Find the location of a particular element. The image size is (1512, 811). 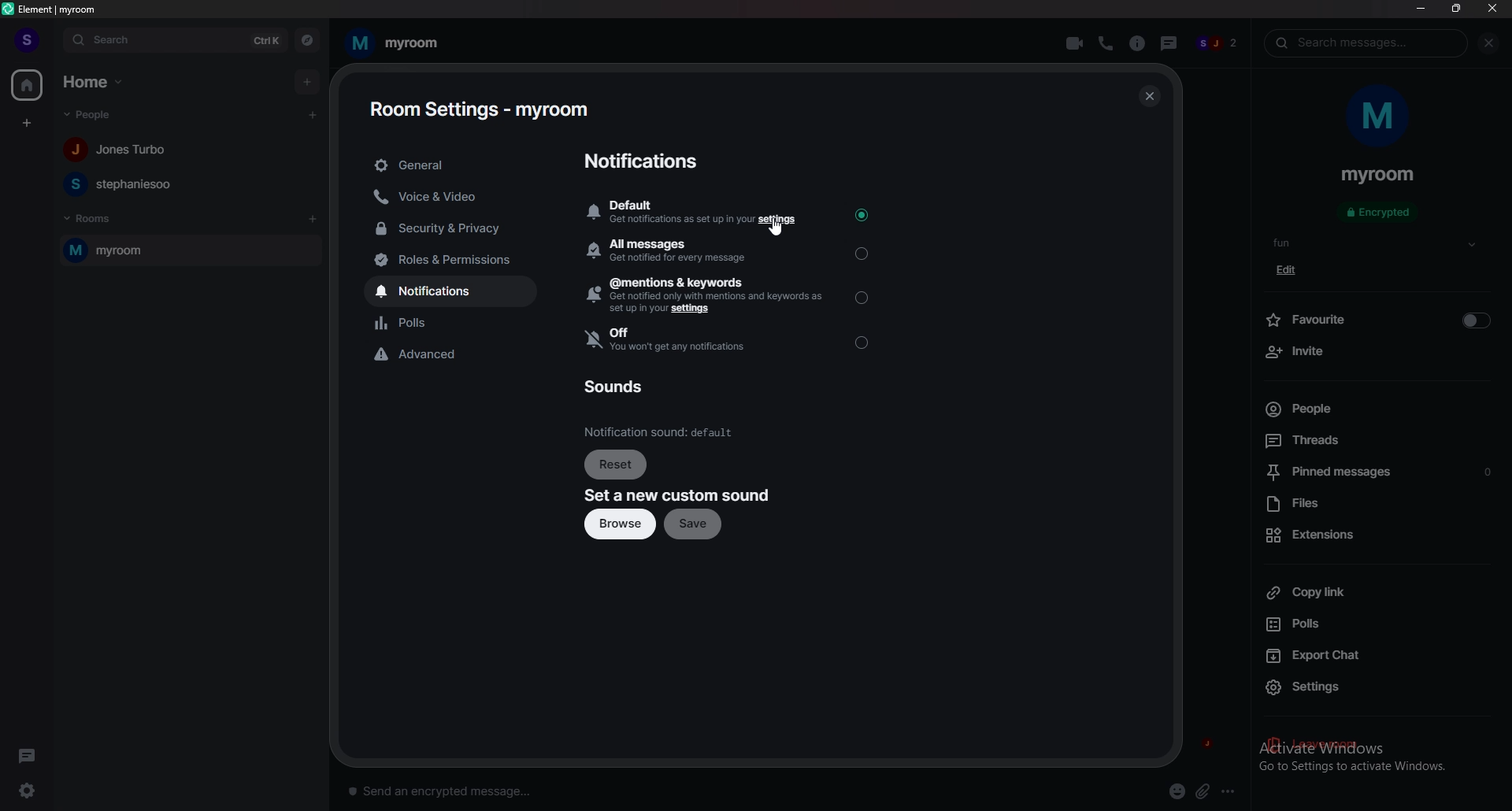

people is located at coordinates (122, 183).